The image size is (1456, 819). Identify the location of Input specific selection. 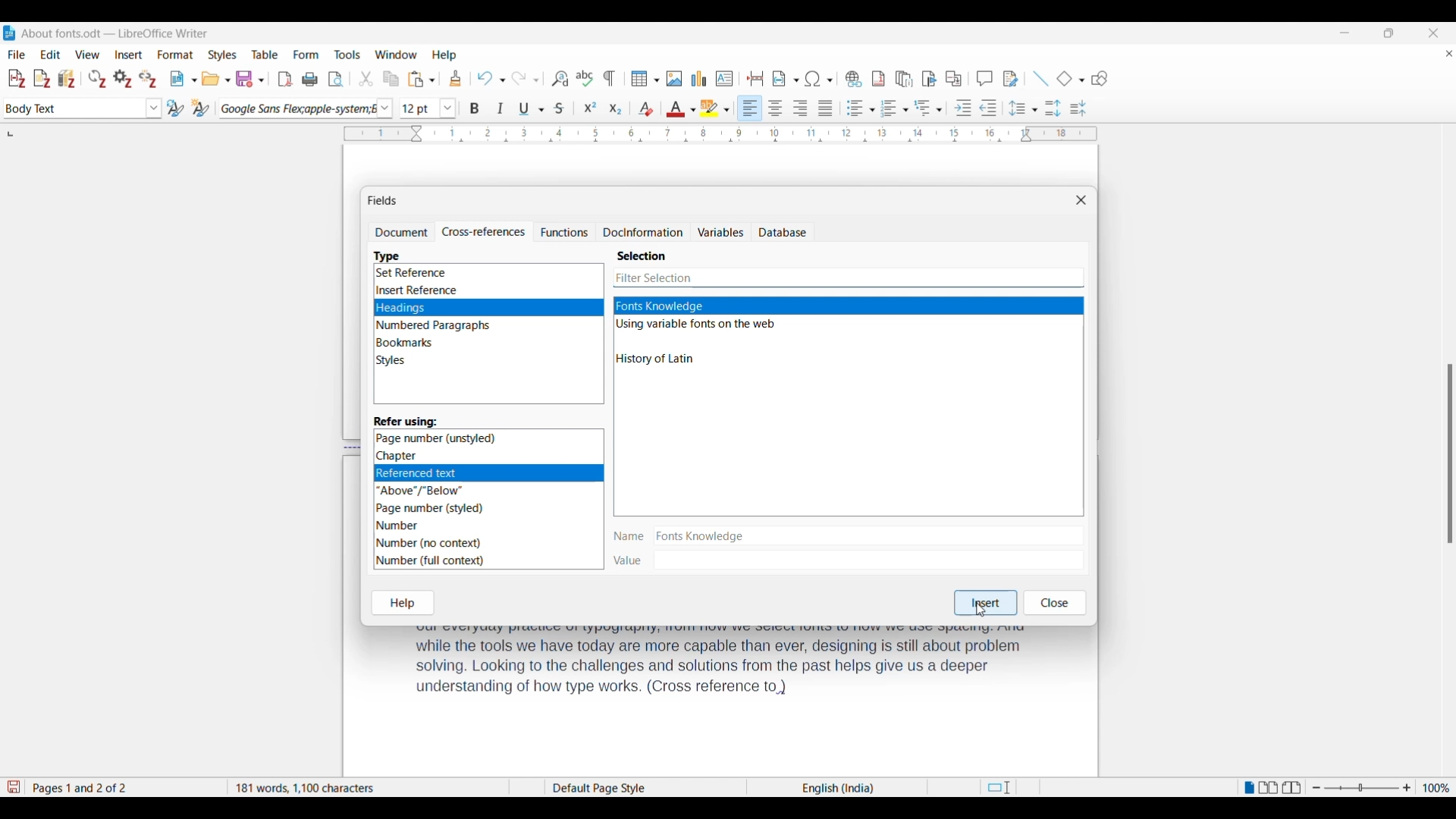
(848, 278).